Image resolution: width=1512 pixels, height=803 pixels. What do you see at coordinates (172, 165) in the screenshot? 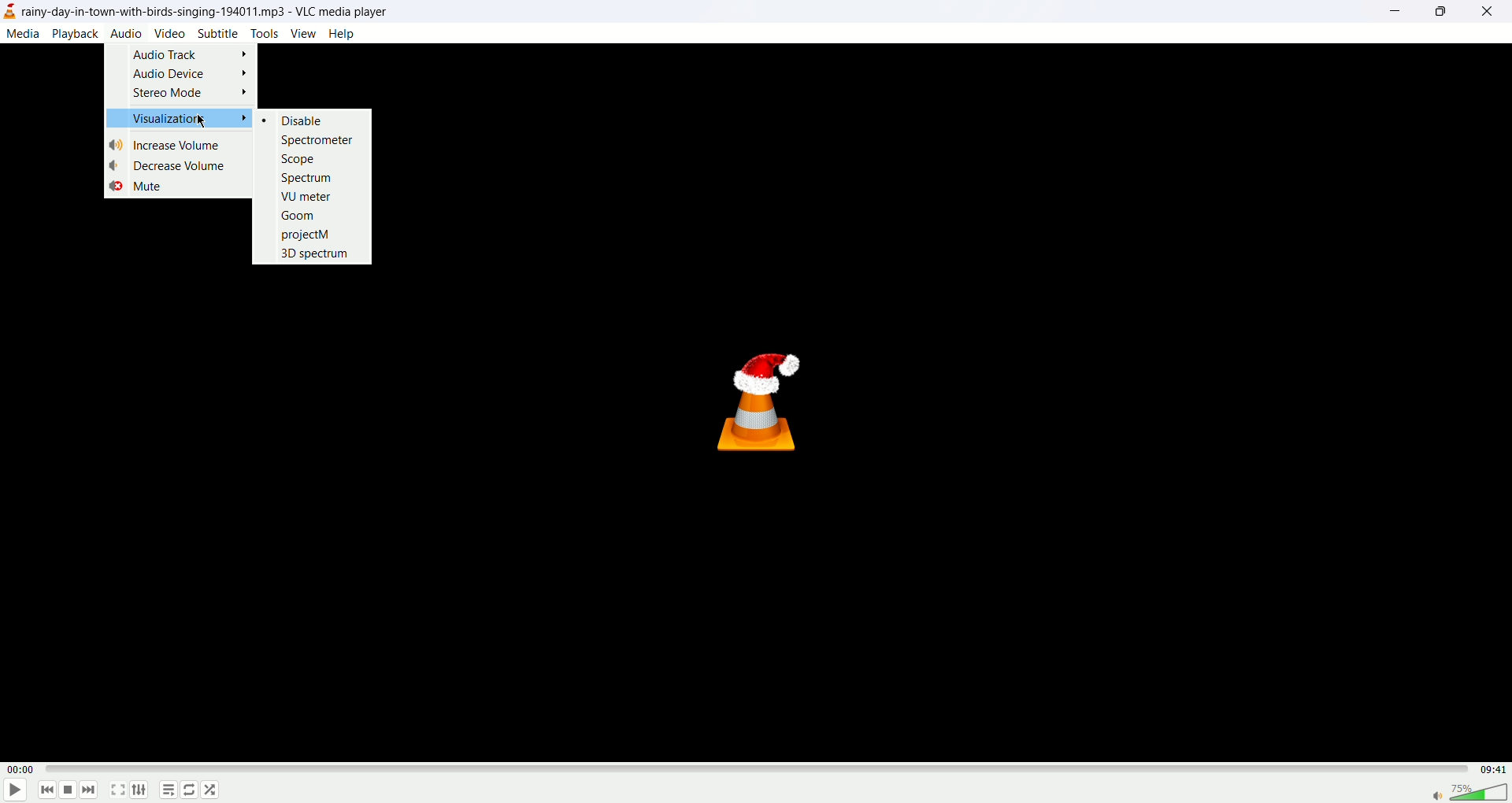
I see `decrease volume` at bounding box center [172, 165].